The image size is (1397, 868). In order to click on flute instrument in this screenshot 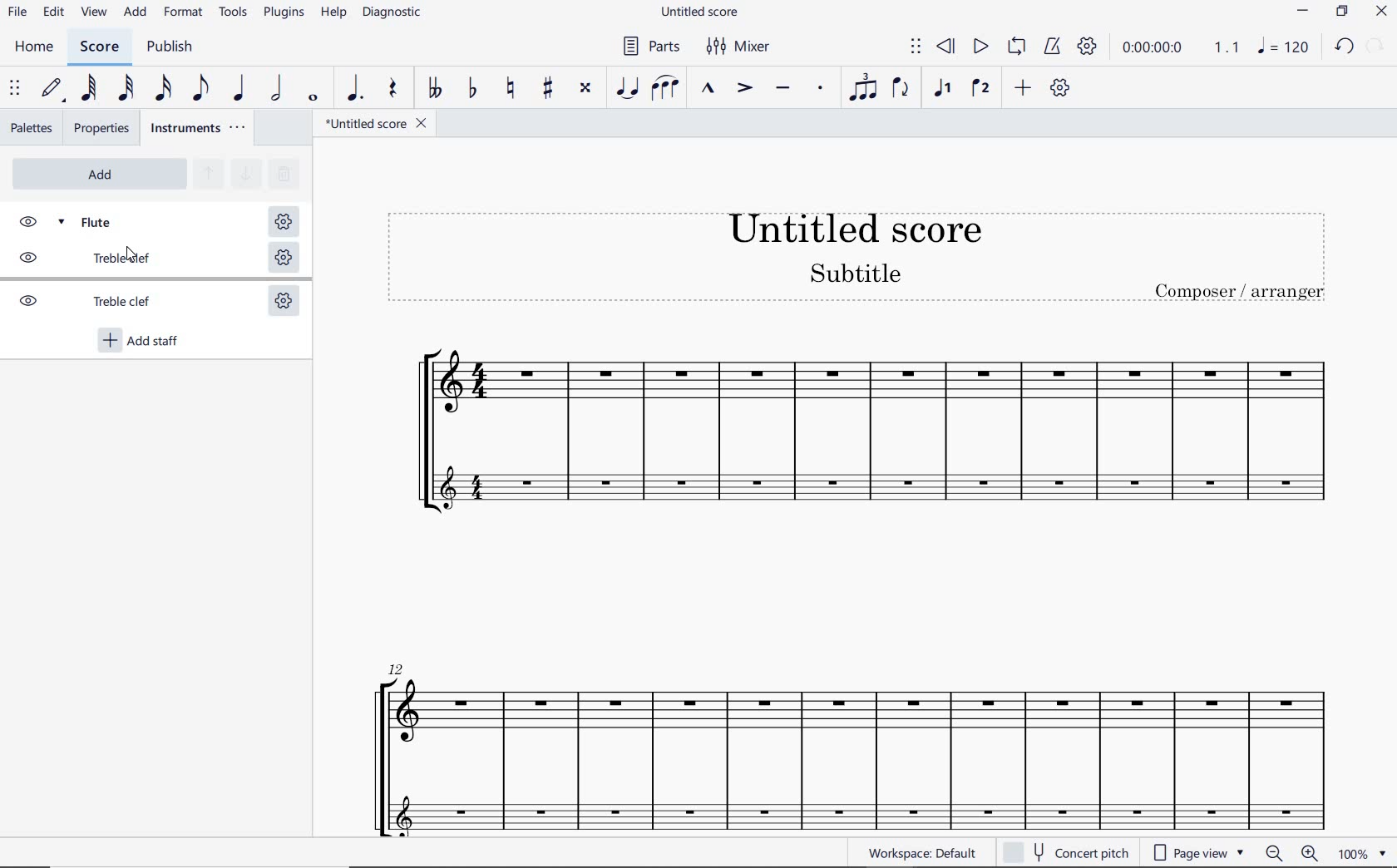, I will do `click(846, 720)`.